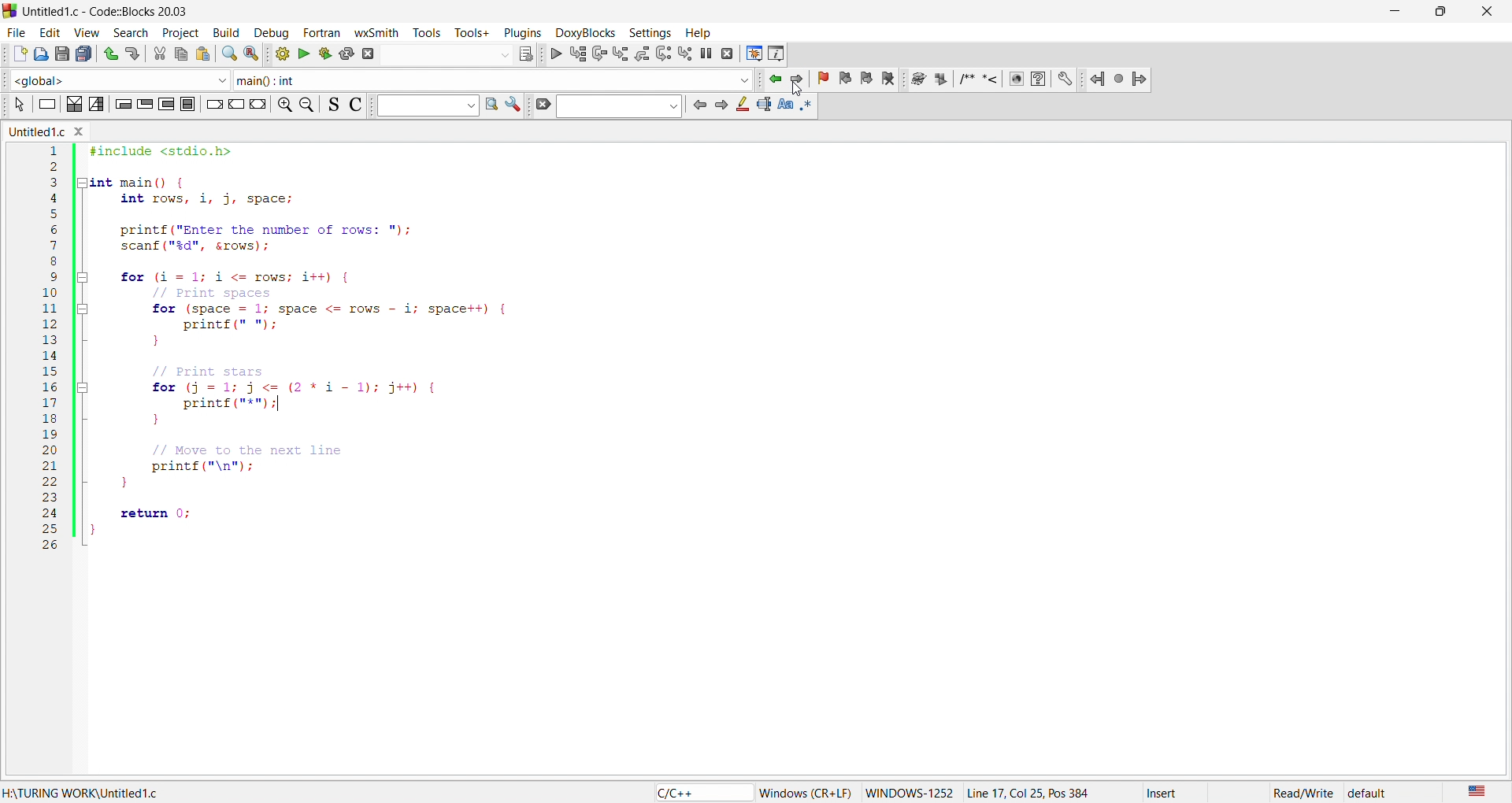  I want to click on search, so click(226, 56).